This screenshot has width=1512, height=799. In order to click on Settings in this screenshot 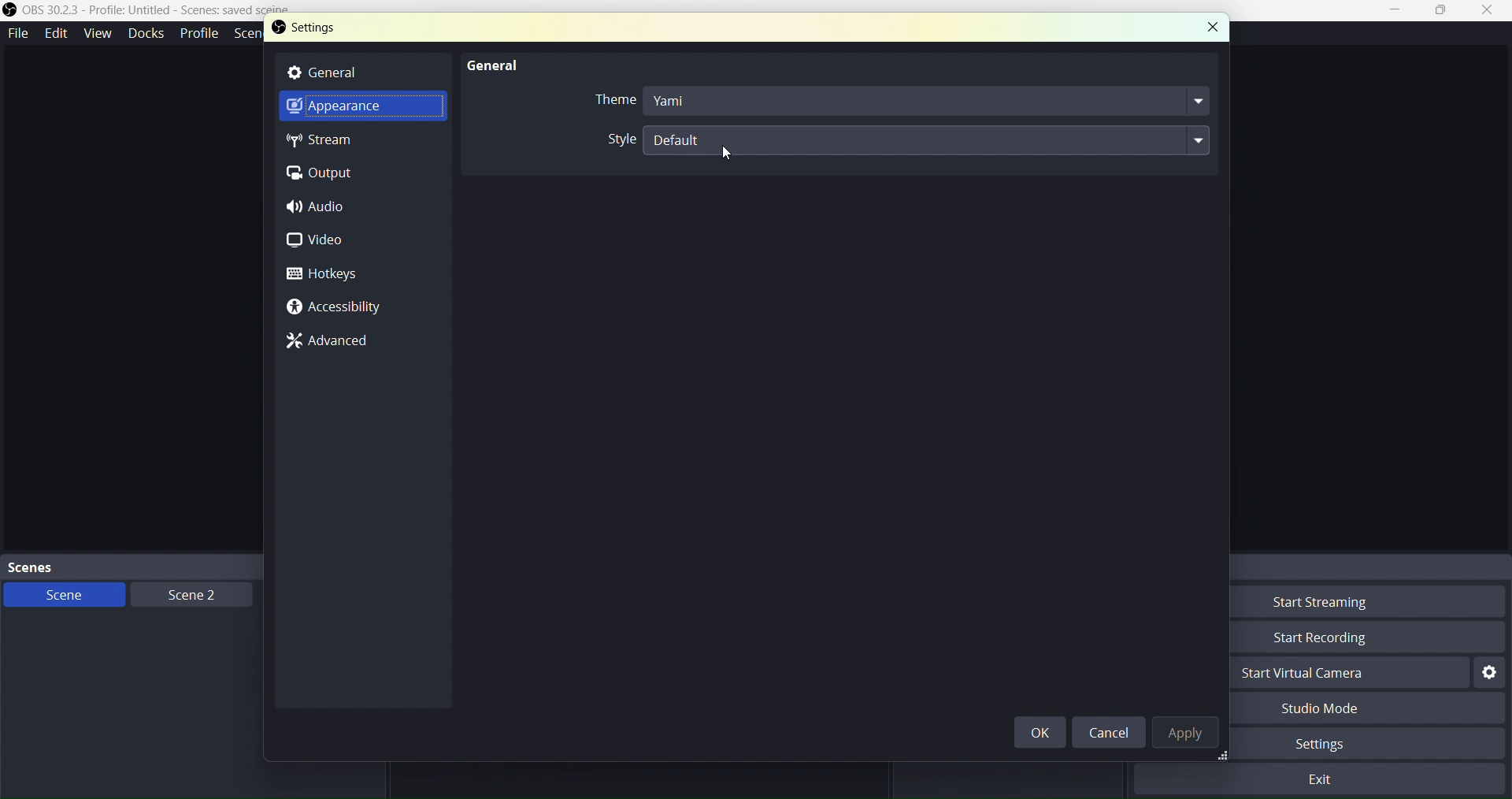, I will do `click(1491, 673)`.